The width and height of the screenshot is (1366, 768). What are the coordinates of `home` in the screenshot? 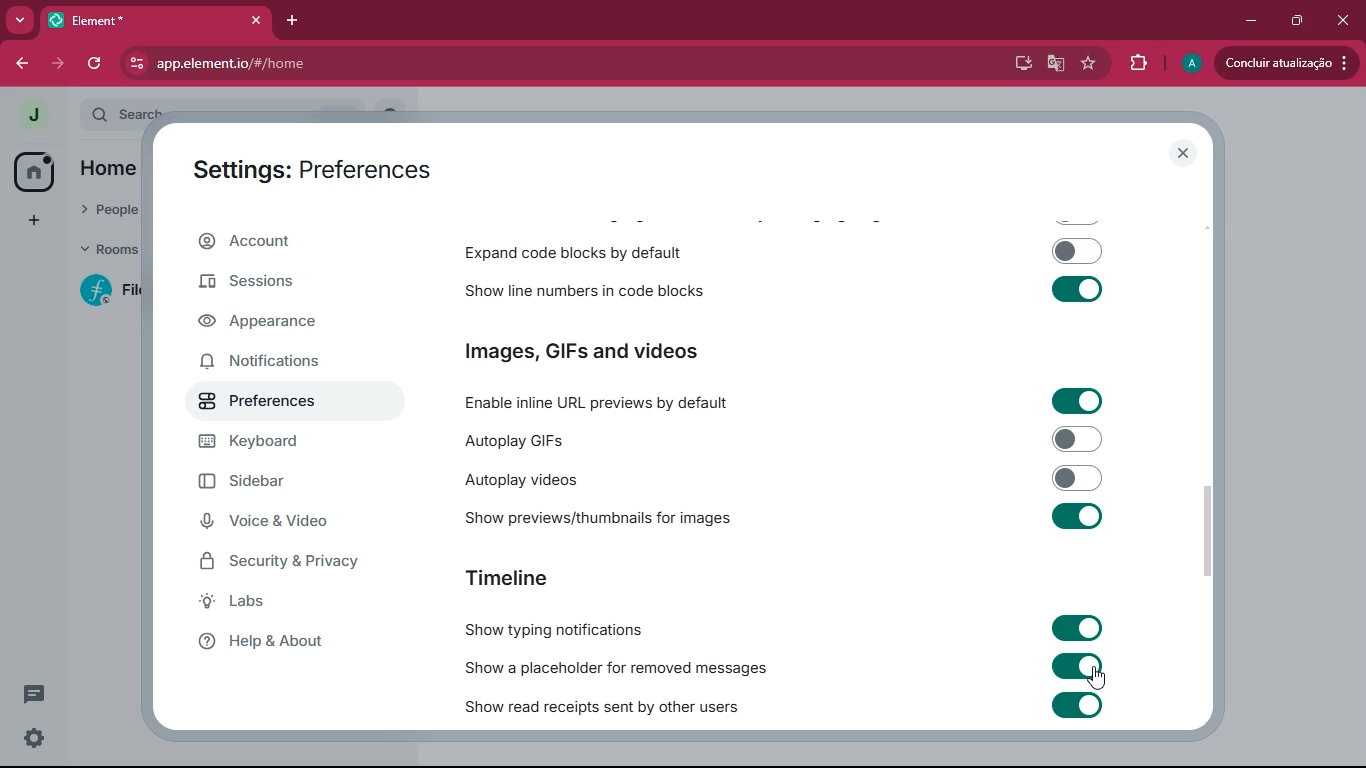 It's located at (38, 170).